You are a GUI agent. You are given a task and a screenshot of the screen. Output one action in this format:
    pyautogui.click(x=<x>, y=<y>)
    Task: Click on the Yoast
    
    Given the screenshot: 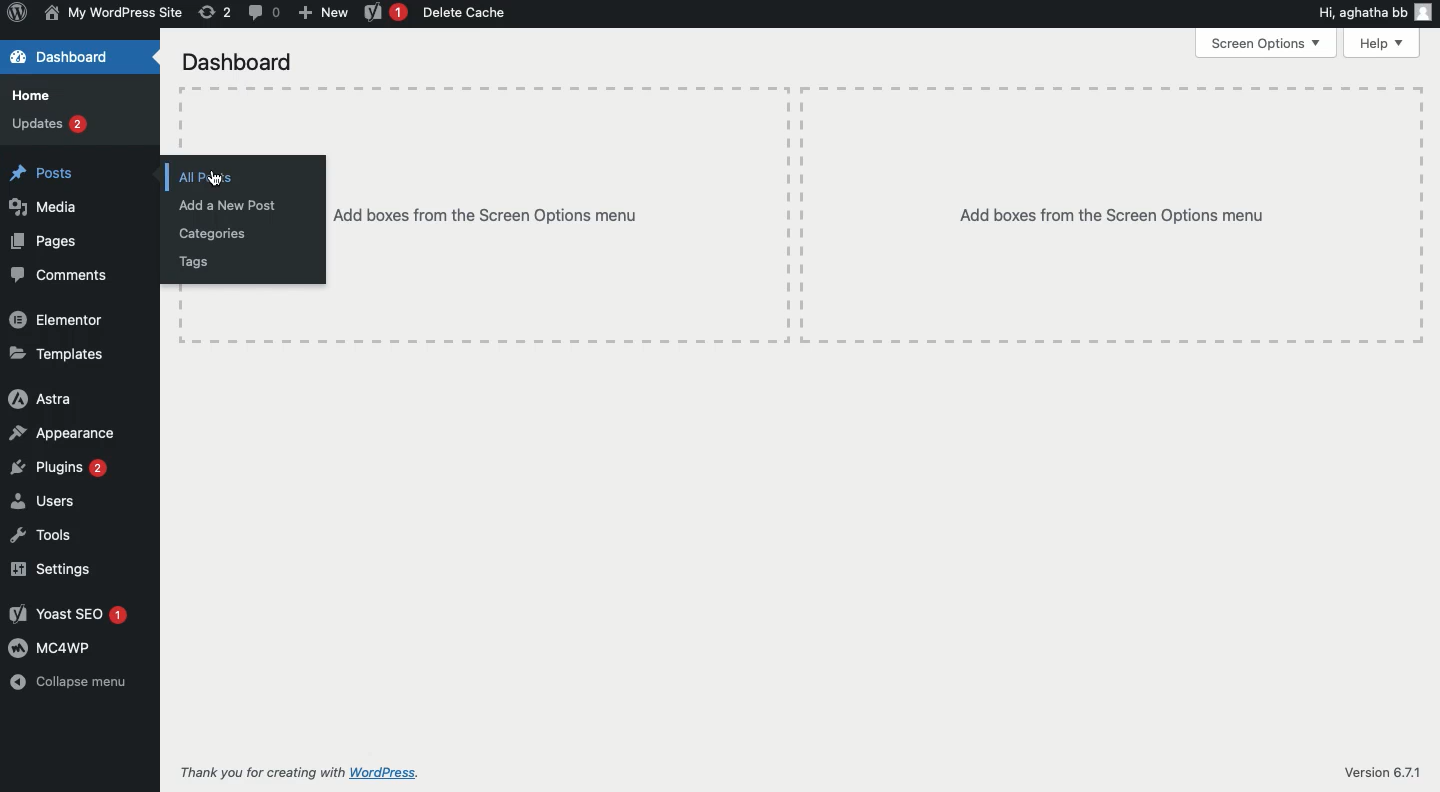 What is the action you would take?
    pyautogui.click(x=386, y=13)
    